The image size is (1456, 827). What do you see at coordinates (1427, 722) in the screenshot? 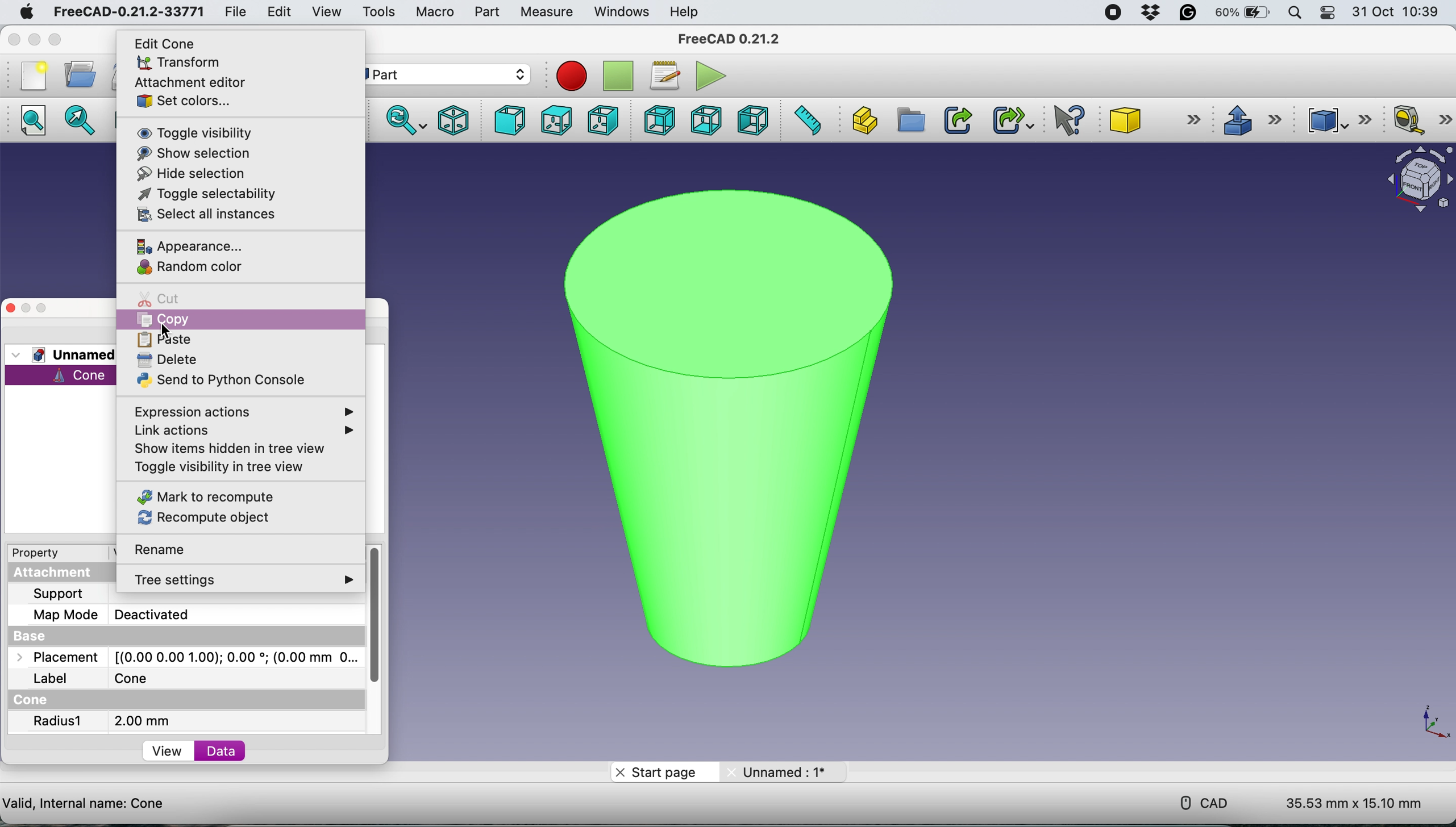
I see `xy scale` at bounding box center [1427, 722].